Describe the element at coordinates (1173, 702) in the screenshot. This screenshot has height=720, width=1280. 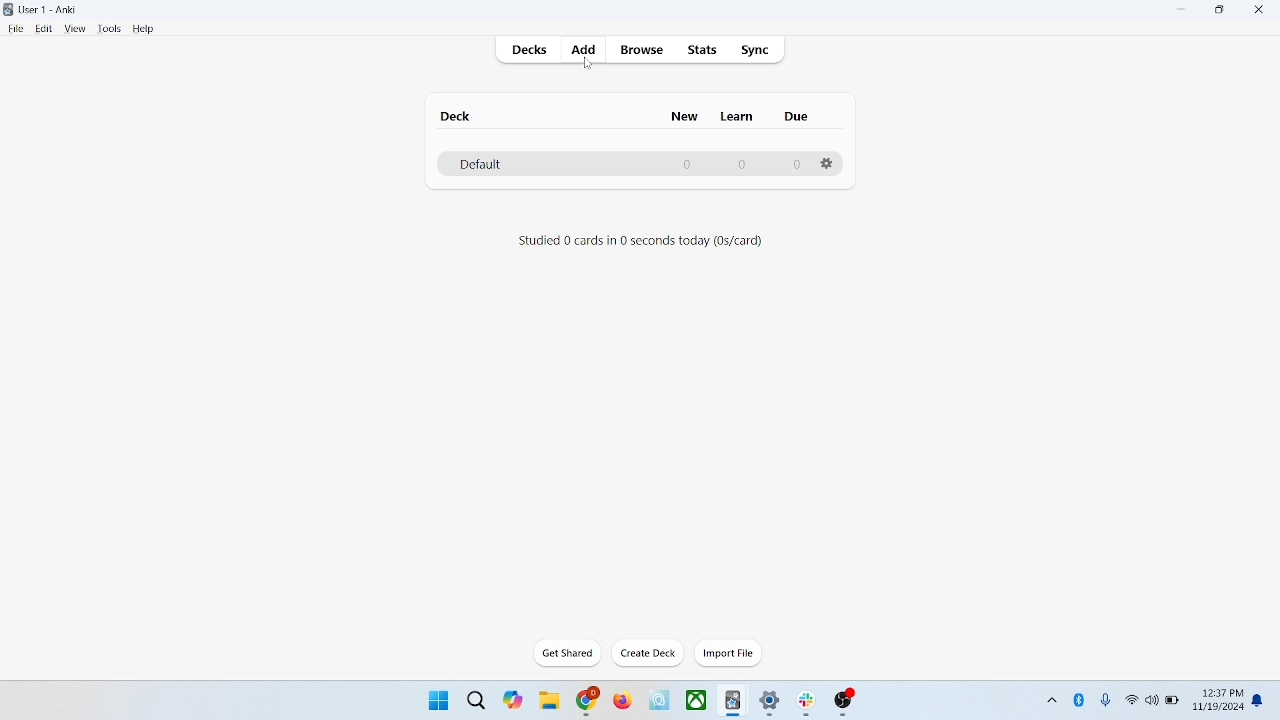
I see `battery` at that location.